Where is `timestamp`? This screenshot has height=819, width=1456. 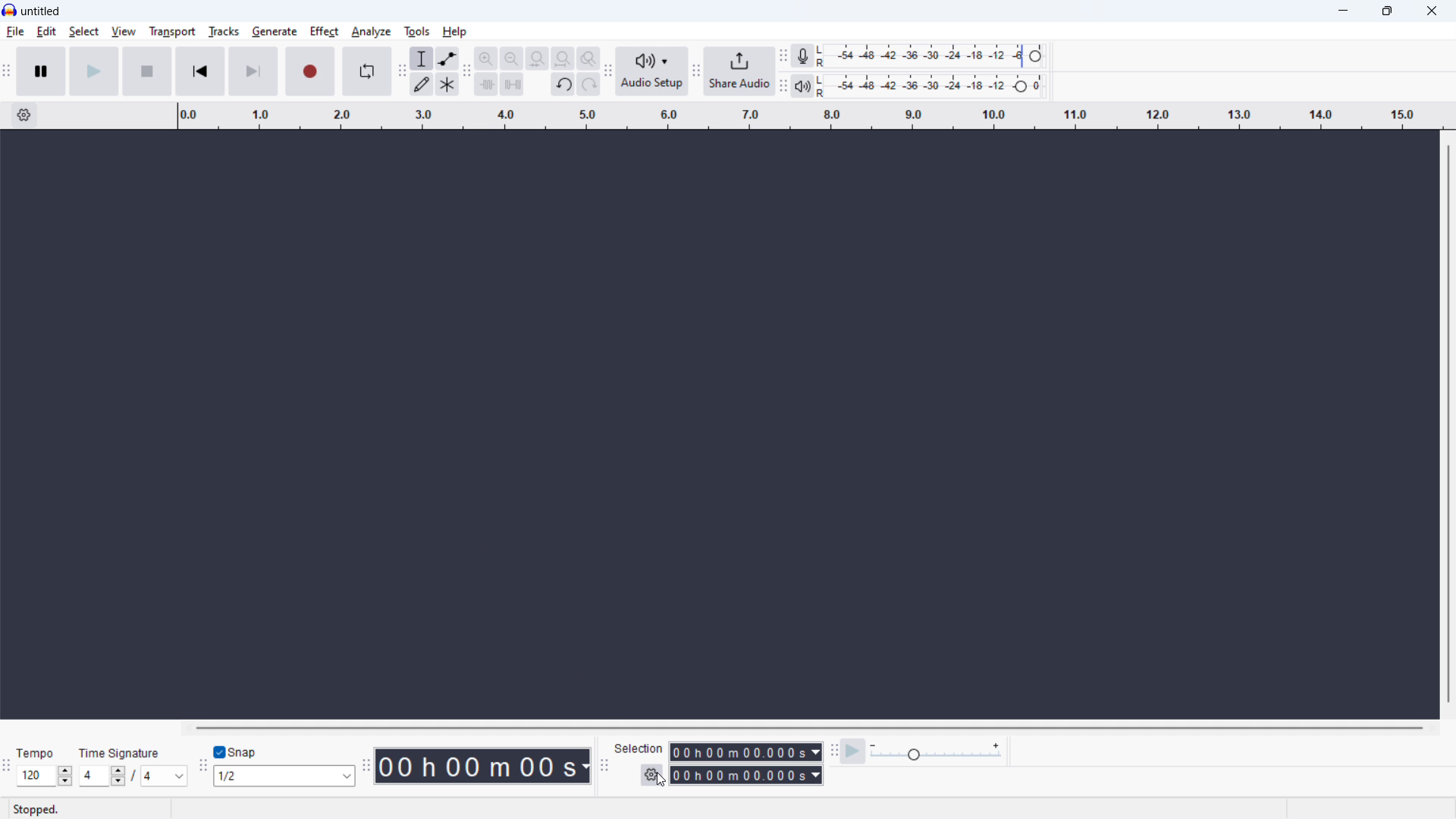 timestamp is located at coordinates (484, 765).